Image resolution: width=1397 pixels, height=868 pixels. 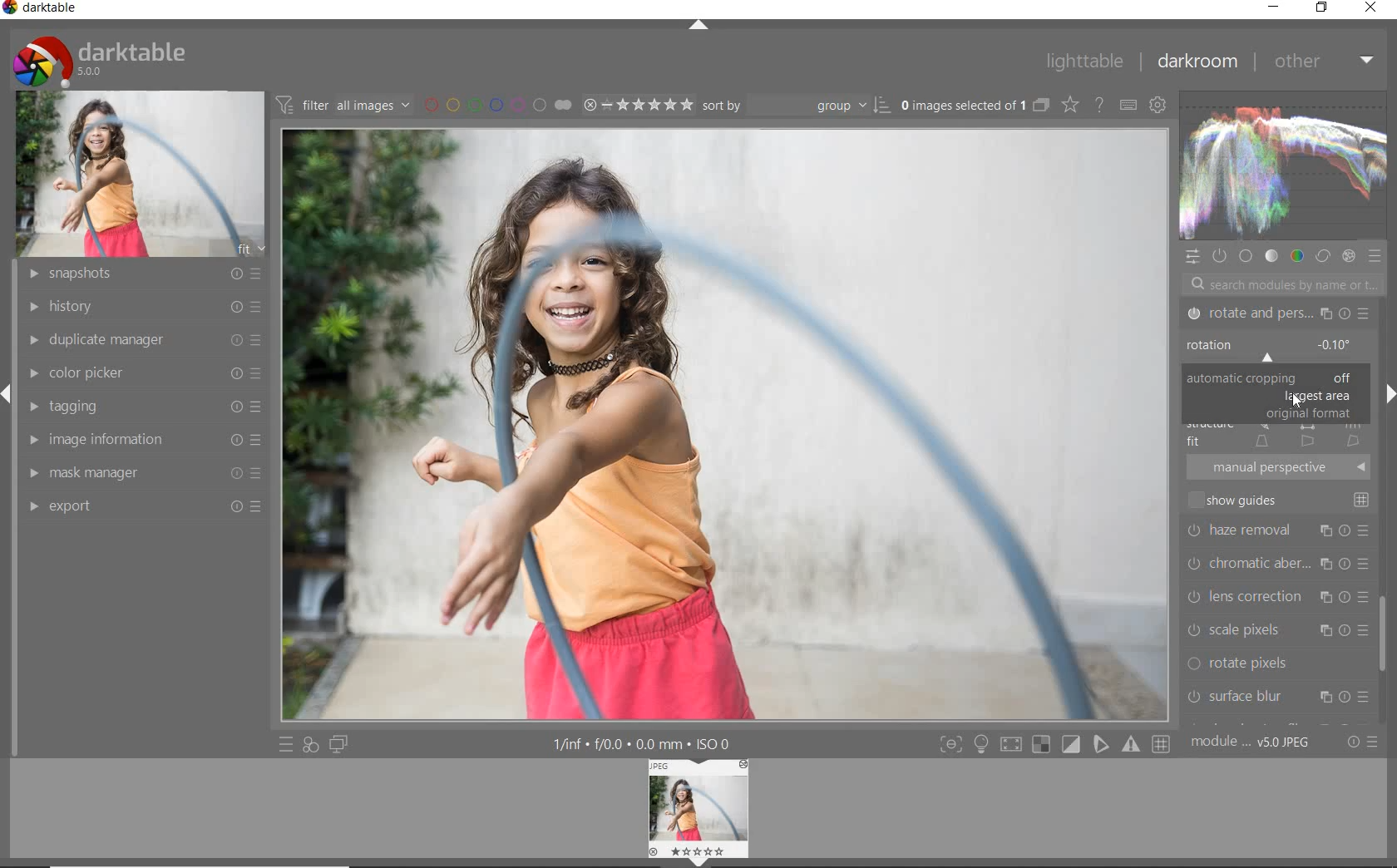 What do you see at coordinates (1385, 625) in the screenshot?
I see `scrollbar` at bounding box center [1385, 625].